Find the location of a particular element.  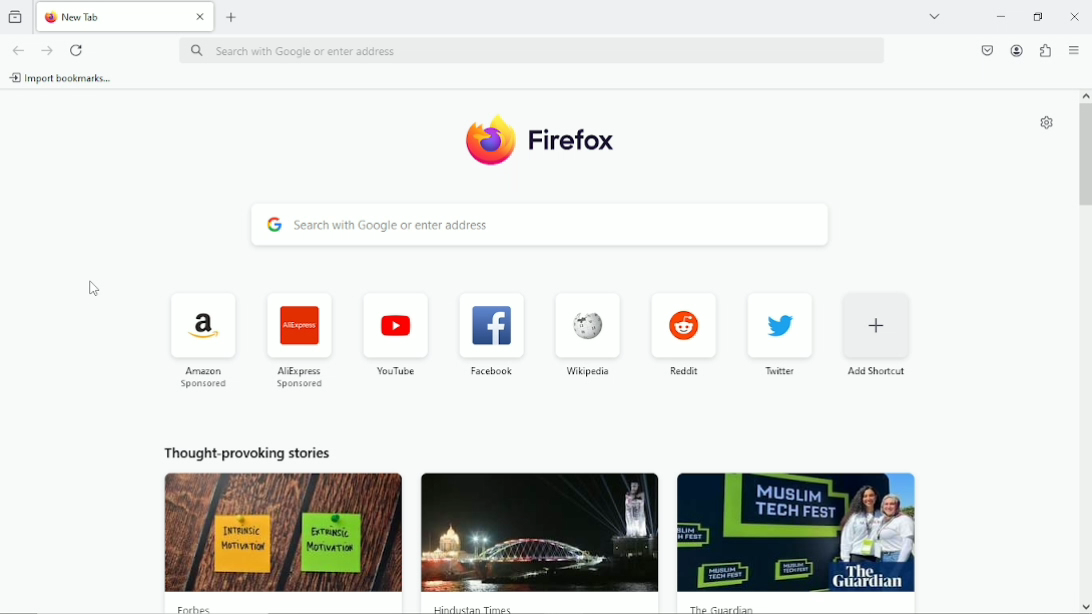

AliExpress Sponsored is located at coordinates (296, 338).